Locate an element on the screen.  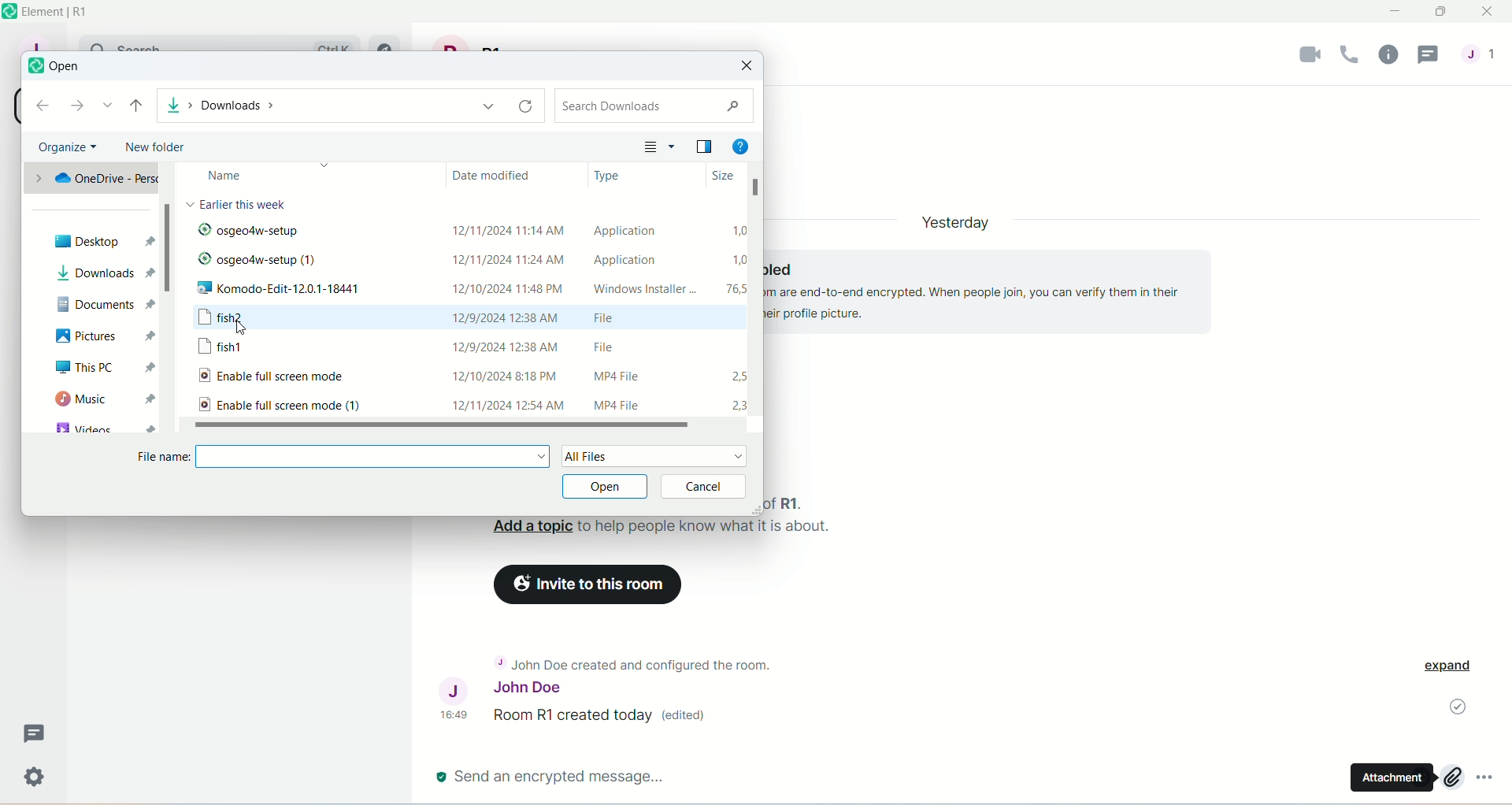
H Komodo-Edit-120.1-18441 is located at coordinates (306, 291).